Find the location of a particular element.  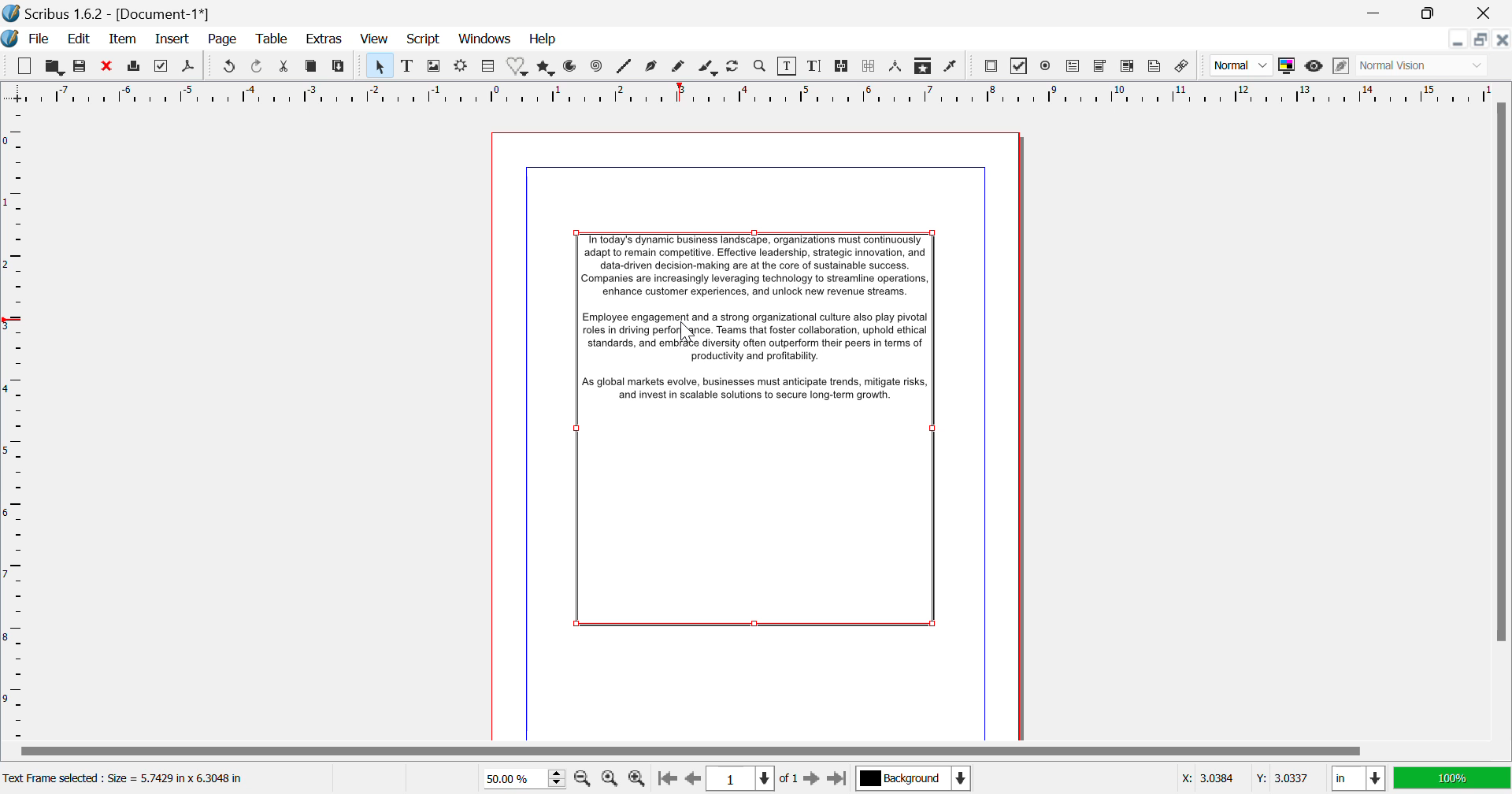

Cursor Position is located at coordinates (687, 335).